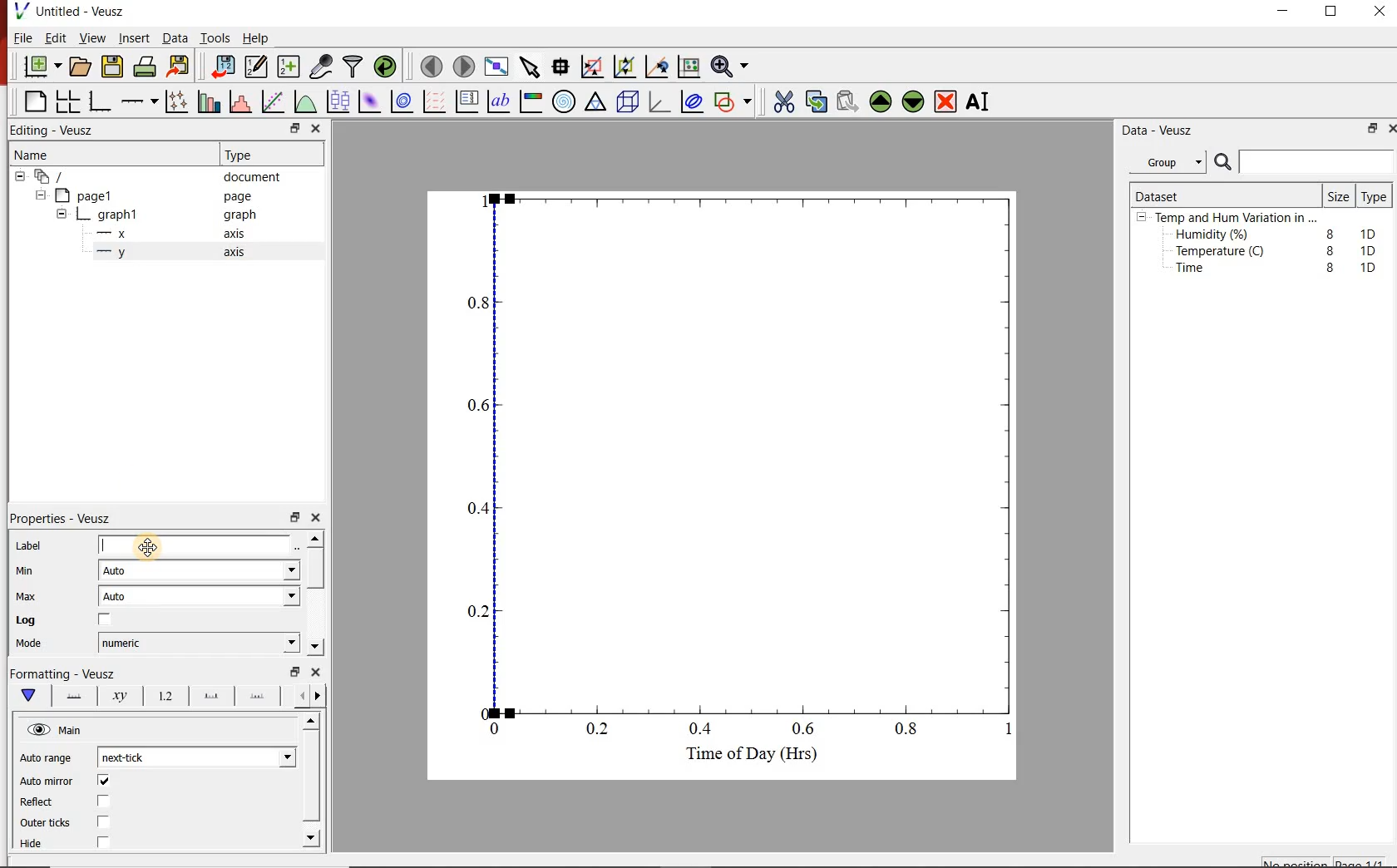 The image size is (1397, 868). I want to click on Zoom functions menu, so click(729, 66).